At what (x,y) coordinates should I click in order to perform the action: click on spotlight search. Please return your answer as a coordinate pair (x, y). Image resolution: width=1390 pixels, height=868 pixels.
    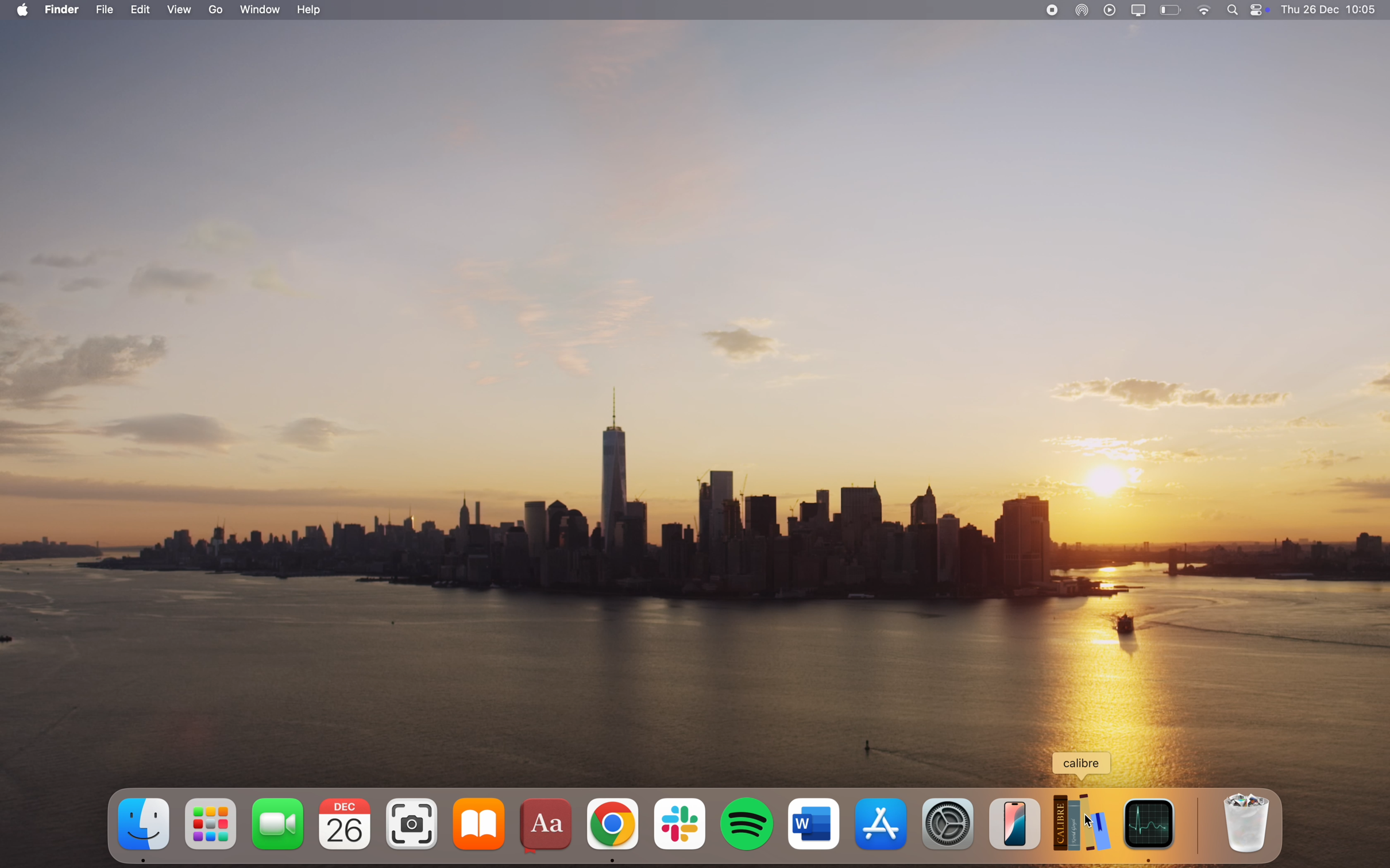
    Looking at the image, I should click on (1230, 9).